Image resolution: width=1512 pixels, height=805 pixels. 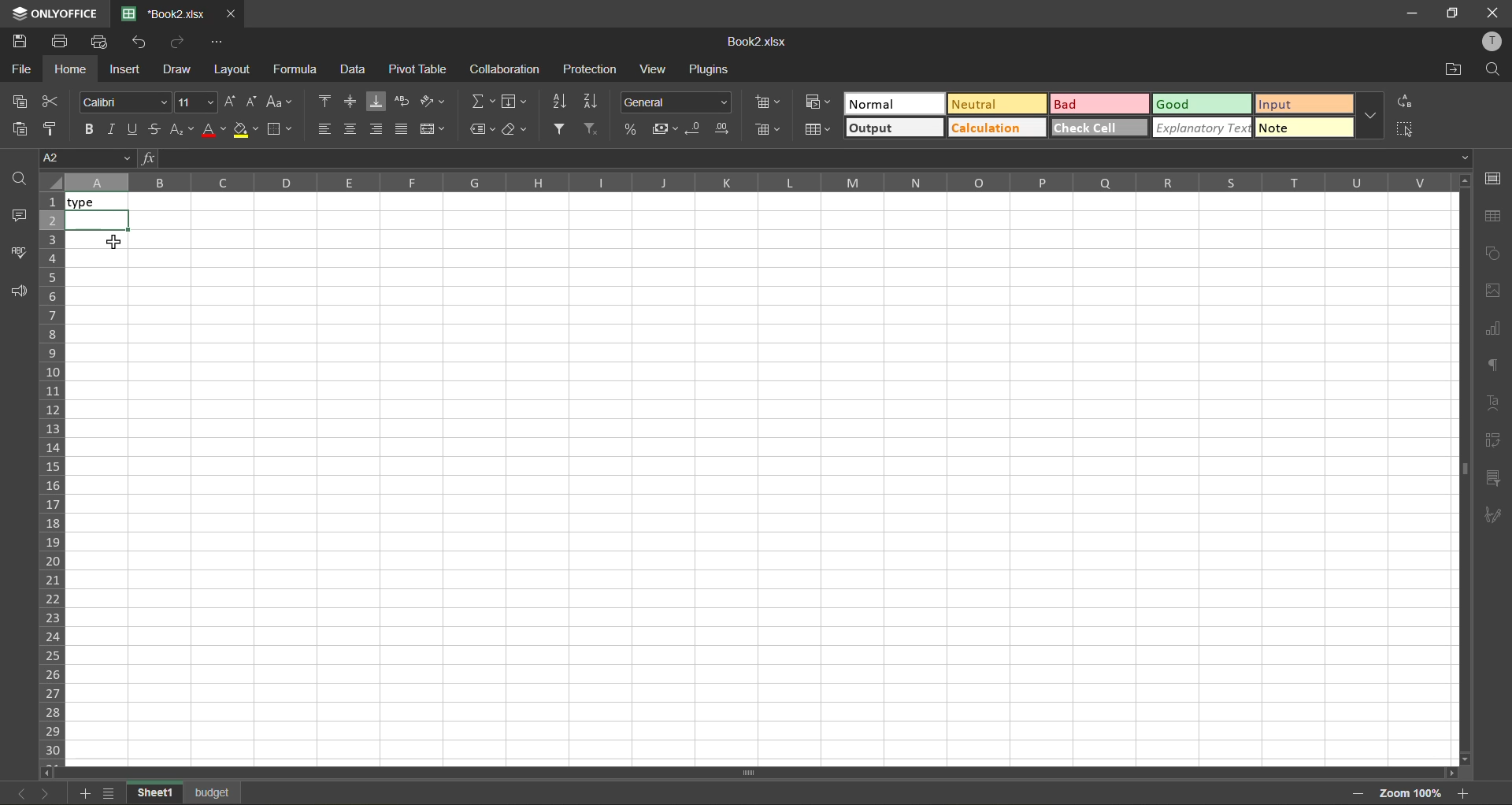 I want to click on align left, so click(x=324, y=127).